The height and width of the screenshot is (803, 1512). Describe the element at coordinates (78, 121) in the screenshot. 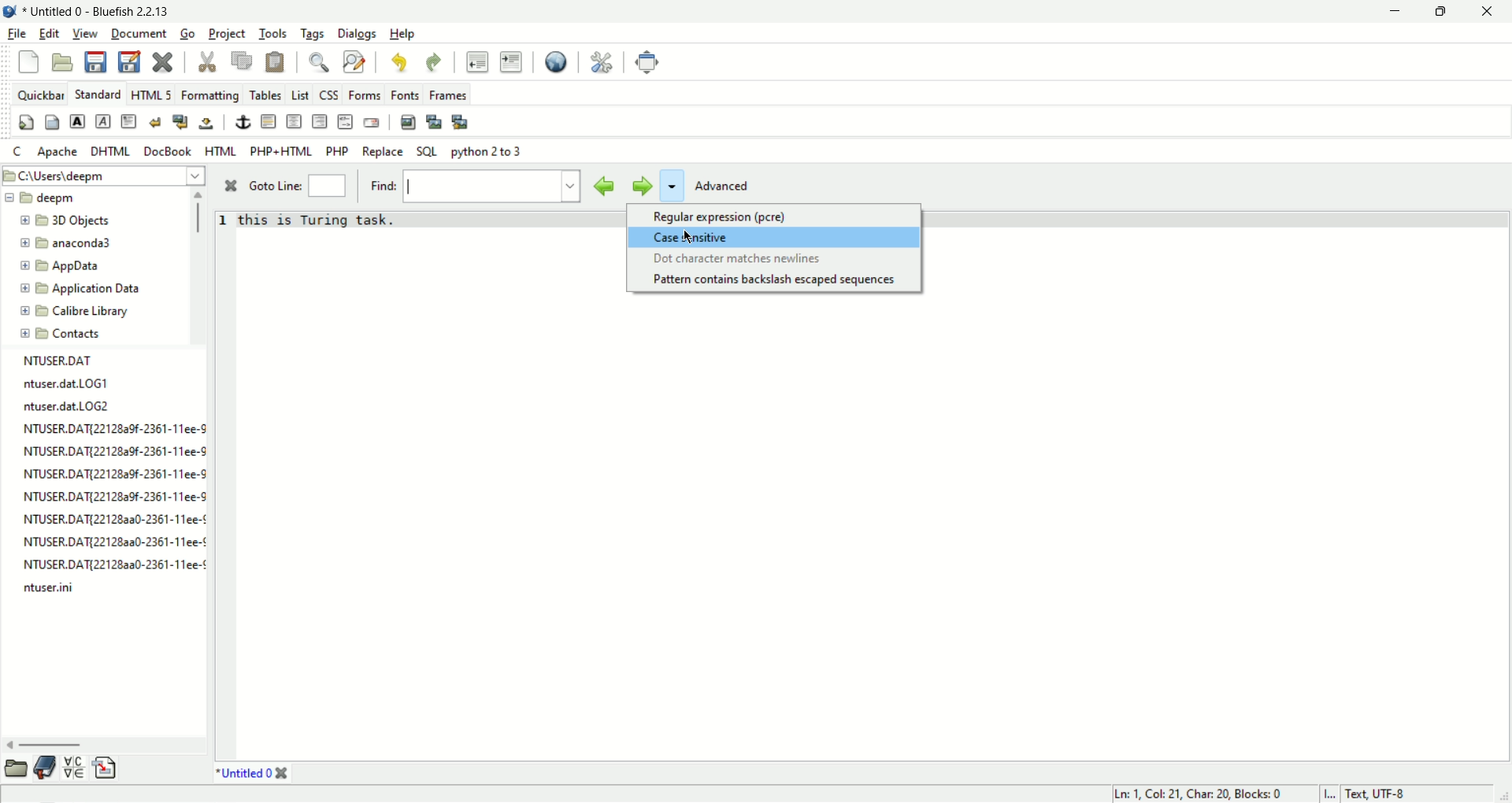

I see `strong` at that location.